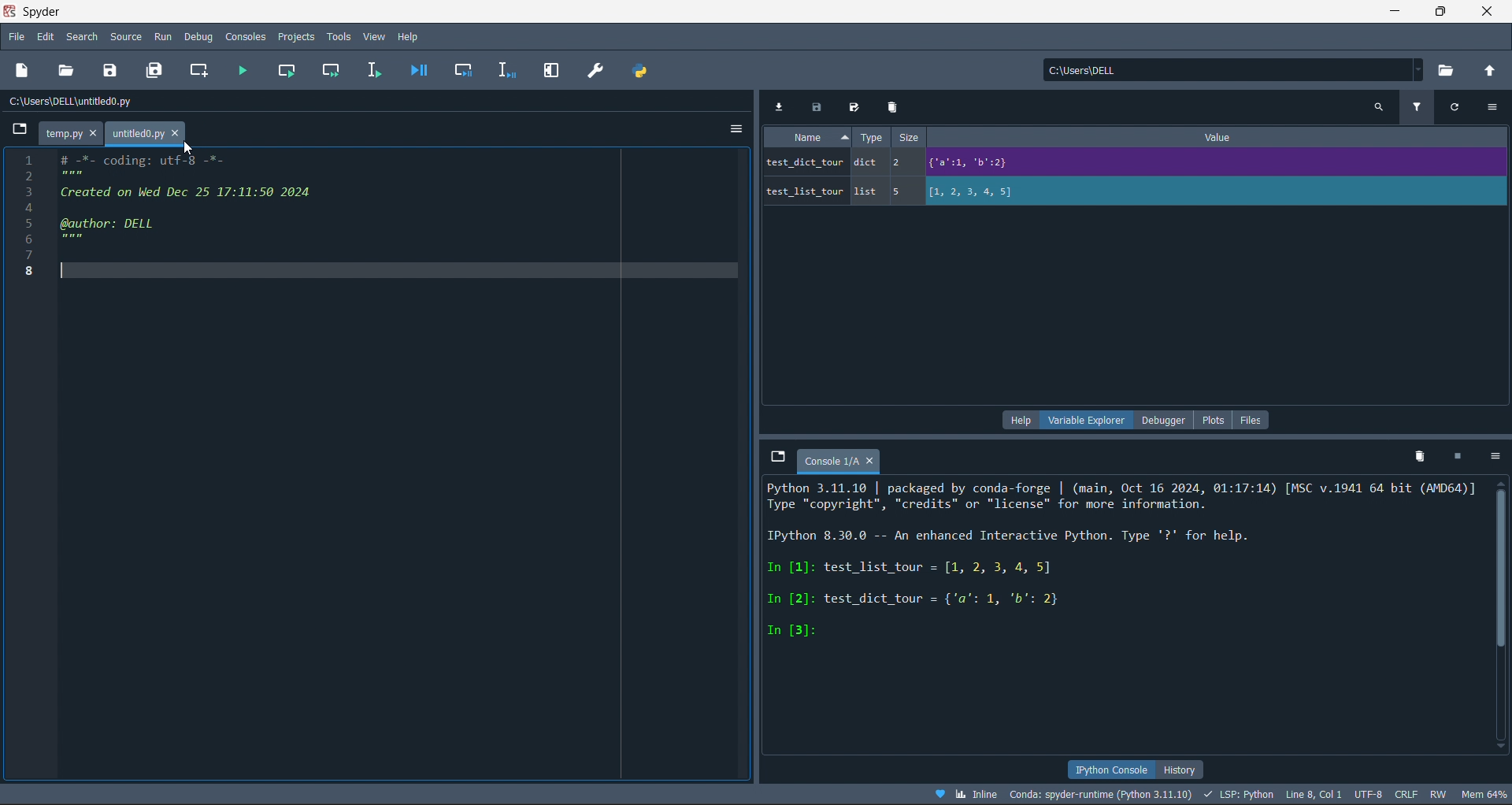 Image resolution: width=1512 pixels, height=805 pixels. Describe the element at coordinates (854, 106) in the screenshot. I see `save data as` at that location.